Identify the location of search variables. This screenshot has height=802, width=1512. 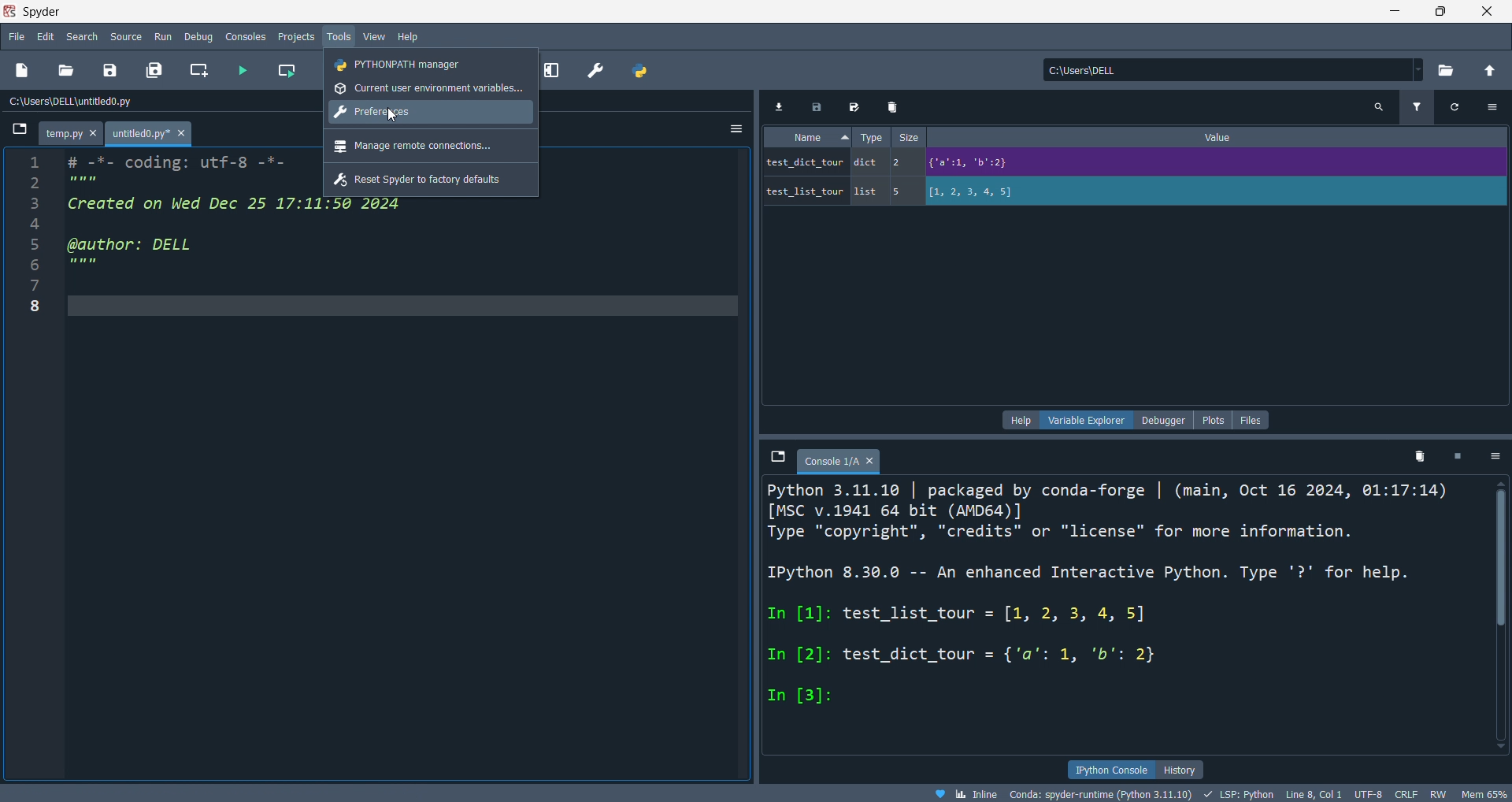
(1382, 110).